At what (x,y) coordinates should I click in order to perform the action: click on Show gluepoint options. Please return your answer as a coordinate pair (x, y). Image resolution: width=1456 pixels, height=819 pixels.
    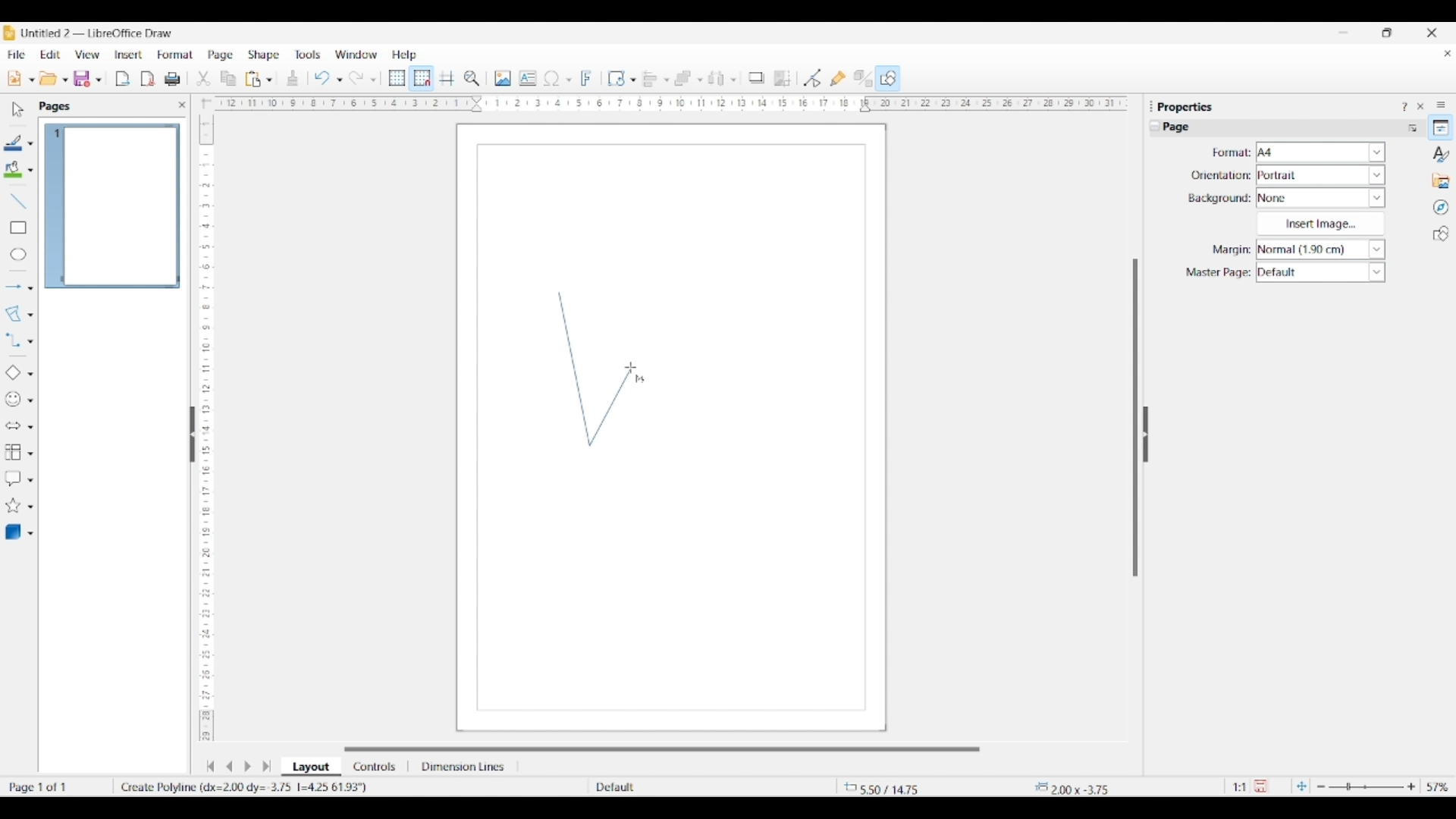
    Looking at the image, I should click on (837, 78).